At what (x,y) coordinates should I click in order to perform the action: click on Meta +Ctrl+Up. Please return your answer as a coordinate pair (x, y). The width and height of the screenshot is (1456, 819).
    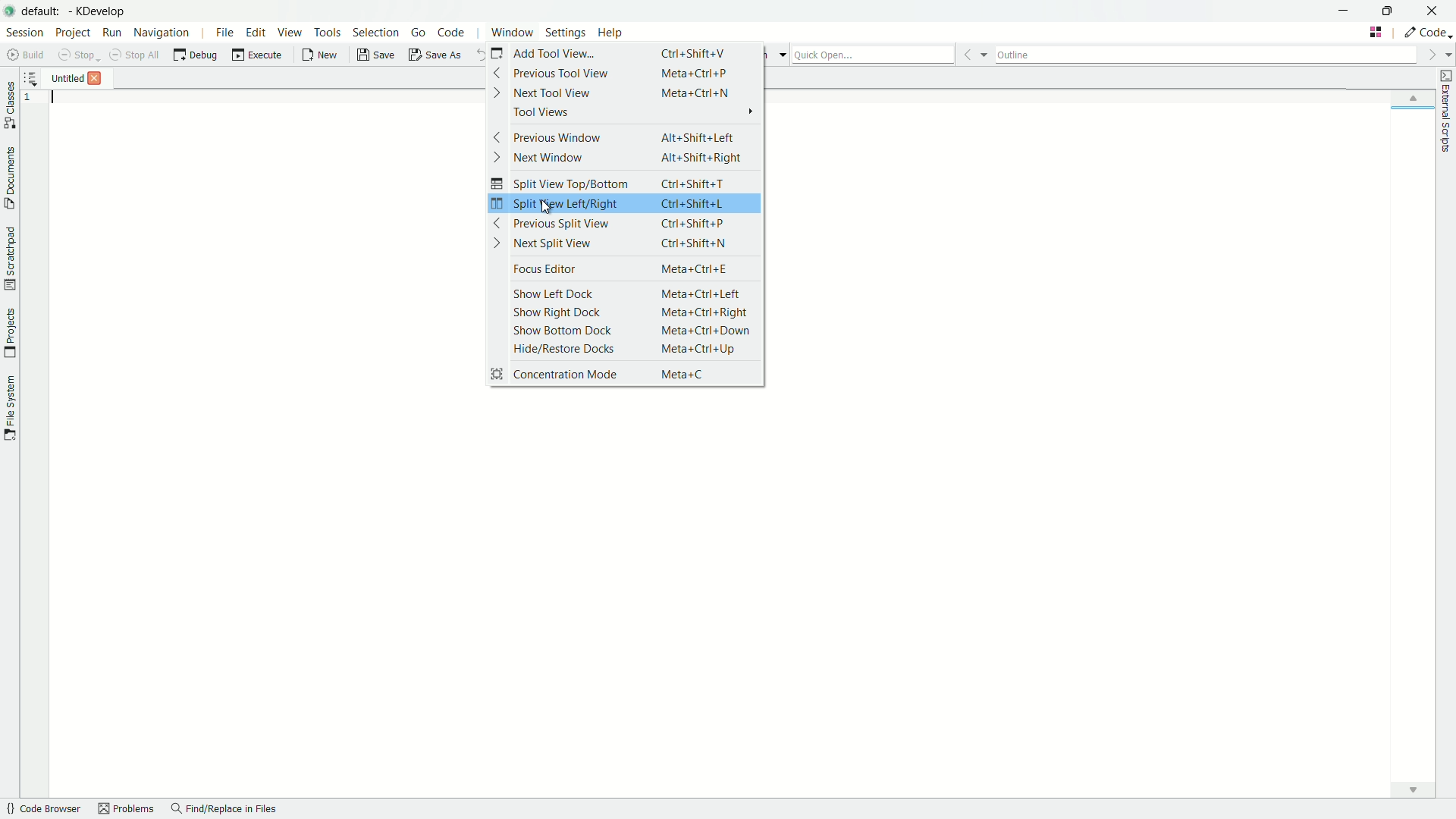
    Looking at the image, I should click on (702, 348).